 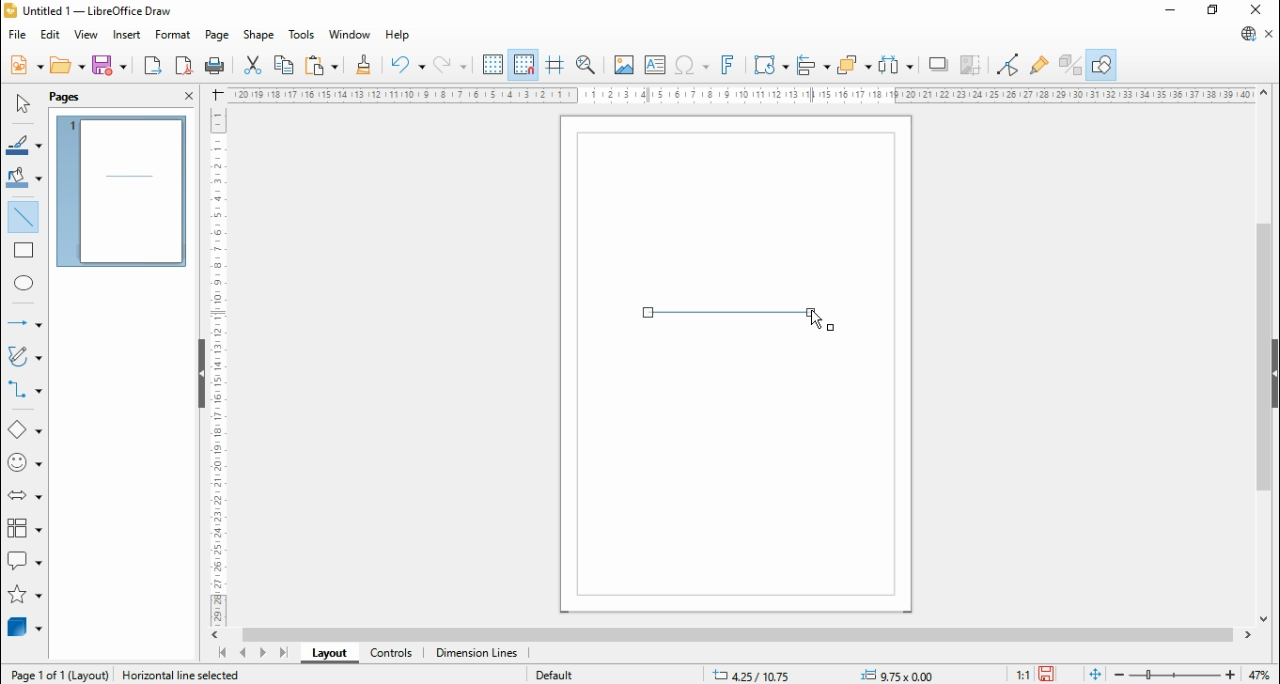 I want to click on layout, so click(x=327, y=652).